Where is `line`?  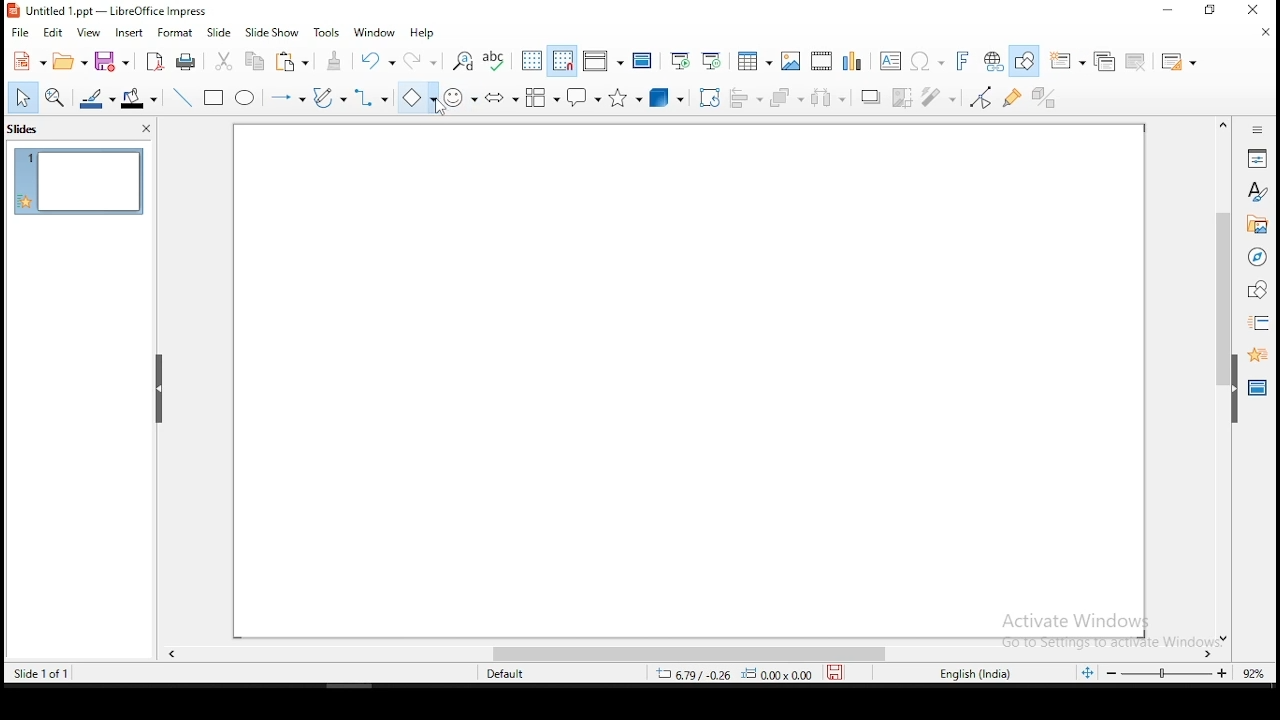
line is located at coordinates (185, 96).